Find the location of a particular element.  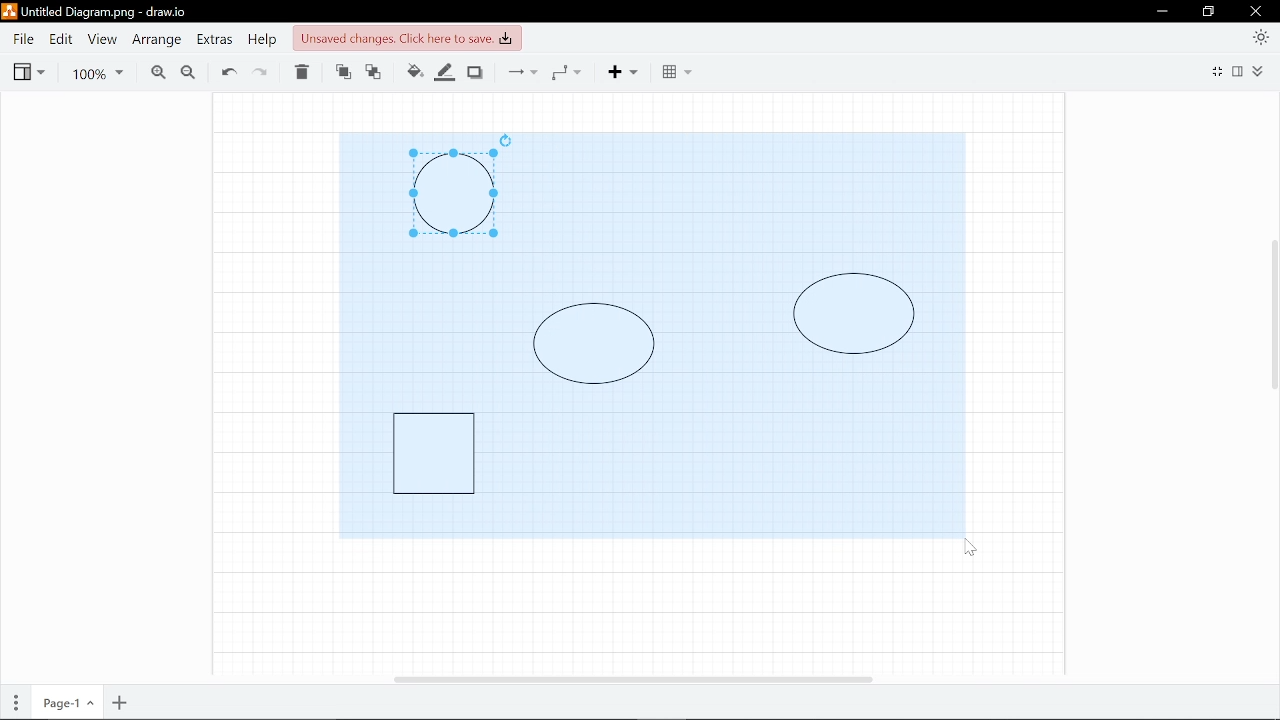

Vertical scrollbar is located at coordinates (1272, 319).